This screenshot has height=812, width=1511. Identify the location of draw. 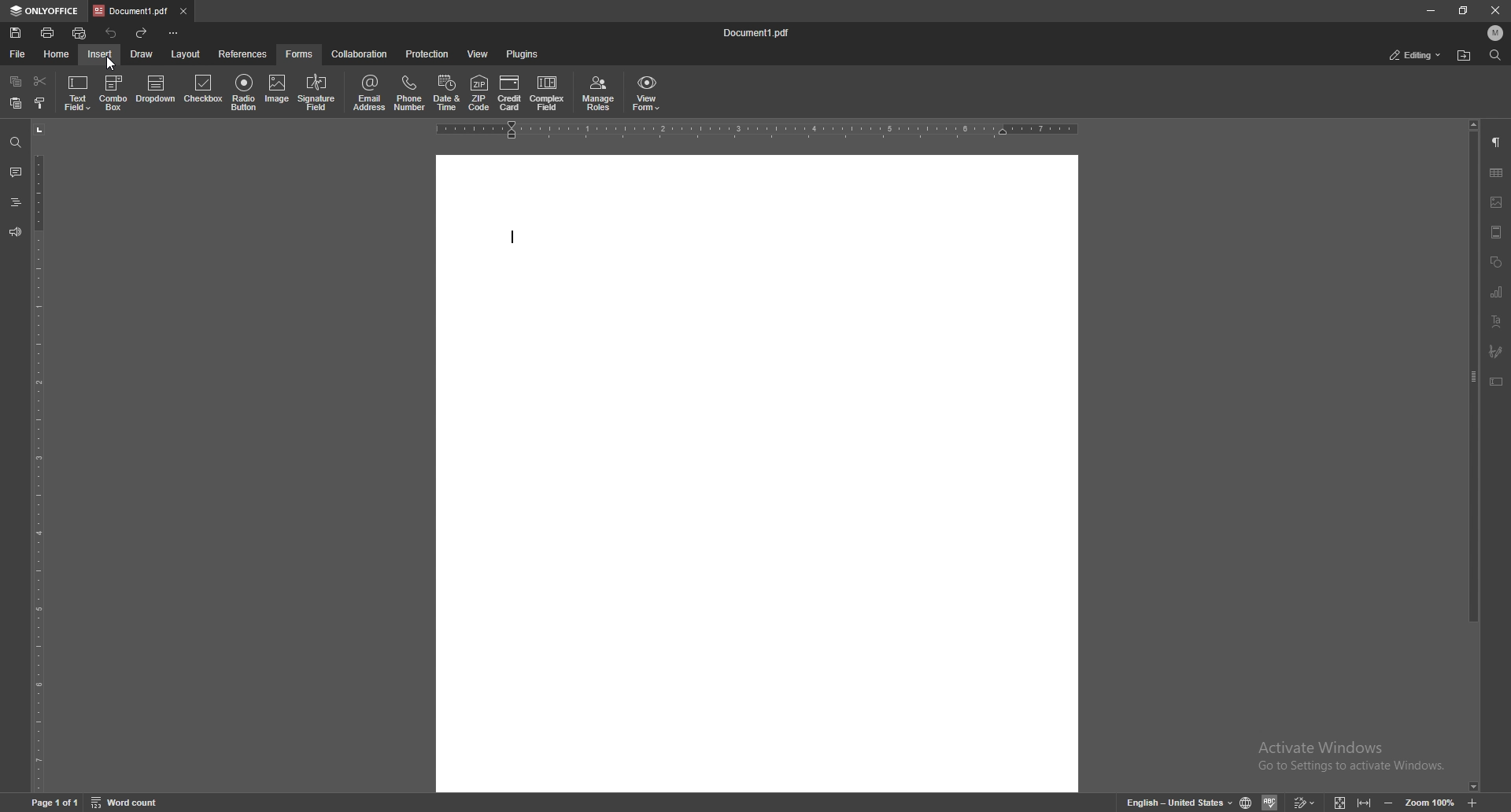
(142, 54).